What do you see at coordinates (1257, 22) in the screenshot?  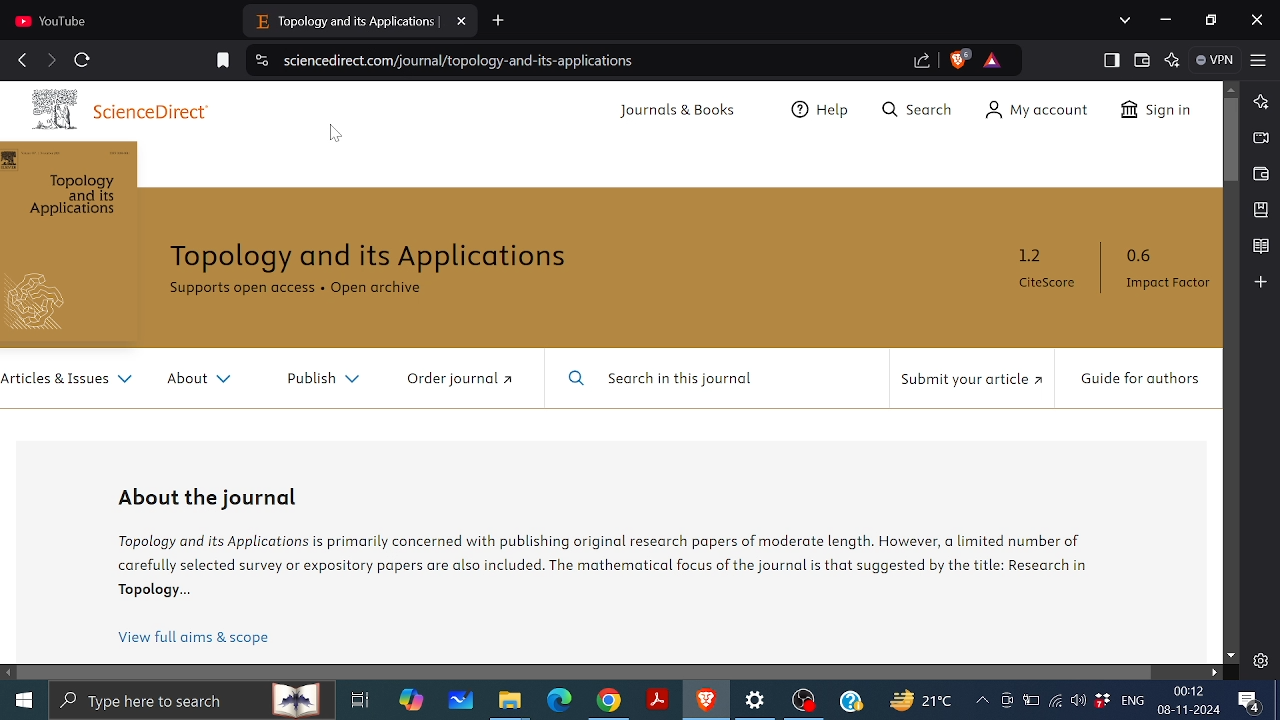 I see `close` at bounding box center [1257, 22].